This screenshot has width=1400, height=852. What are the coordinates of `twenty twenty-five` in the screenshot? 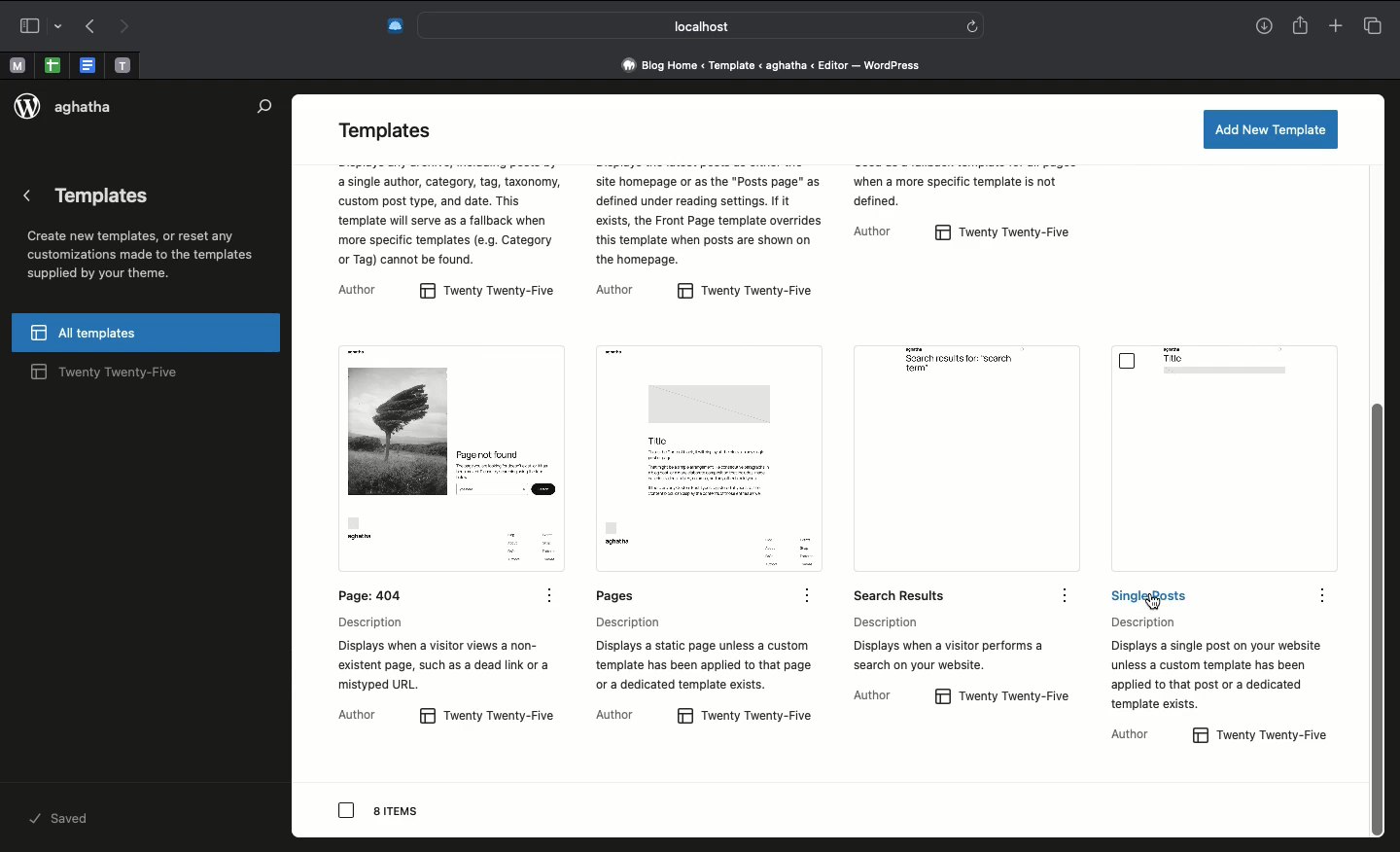 It's located at (1019, 232).